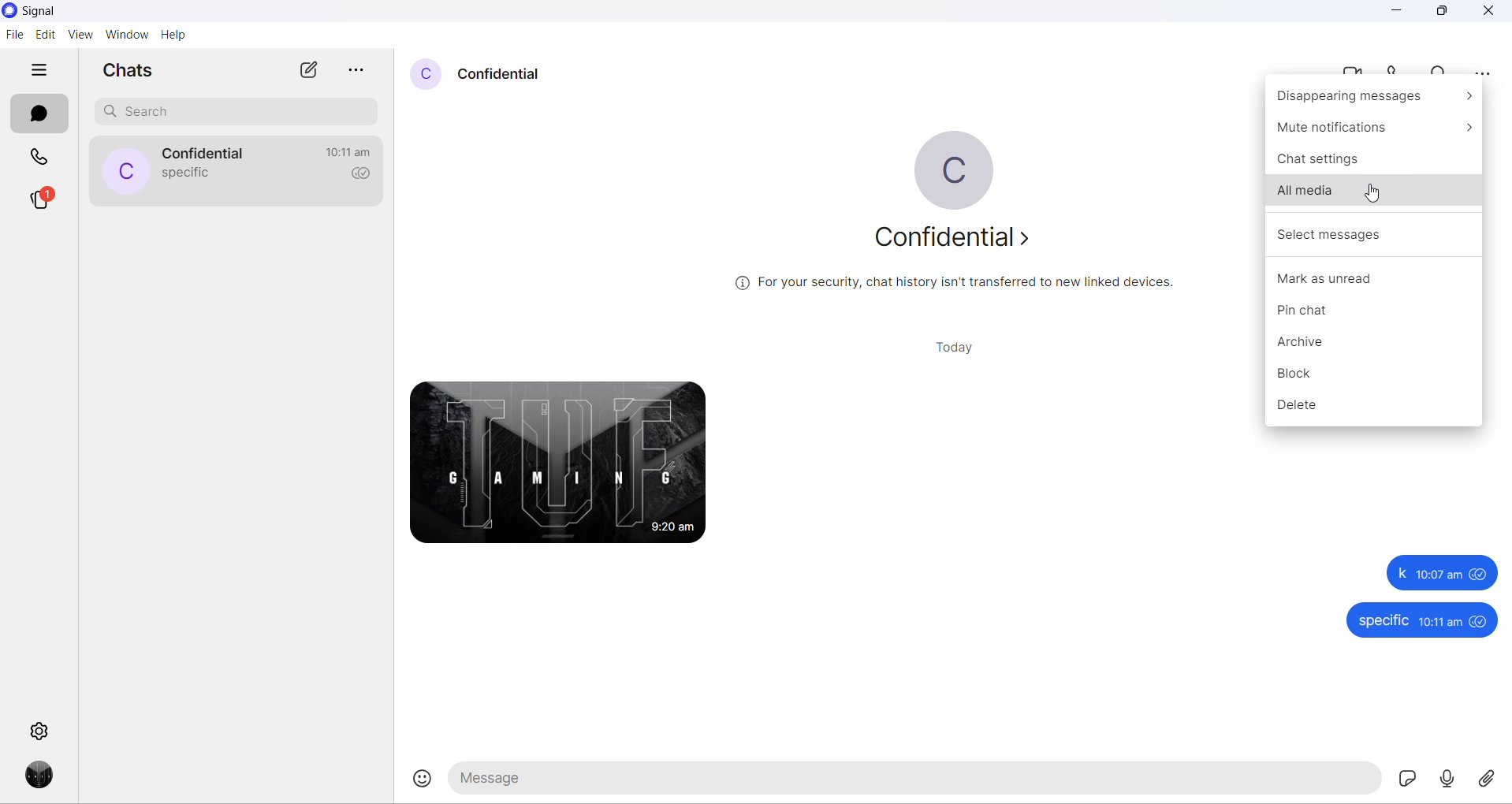 This screenshot has height=804, width=1512. I want to click on more options, so click(354, 72).